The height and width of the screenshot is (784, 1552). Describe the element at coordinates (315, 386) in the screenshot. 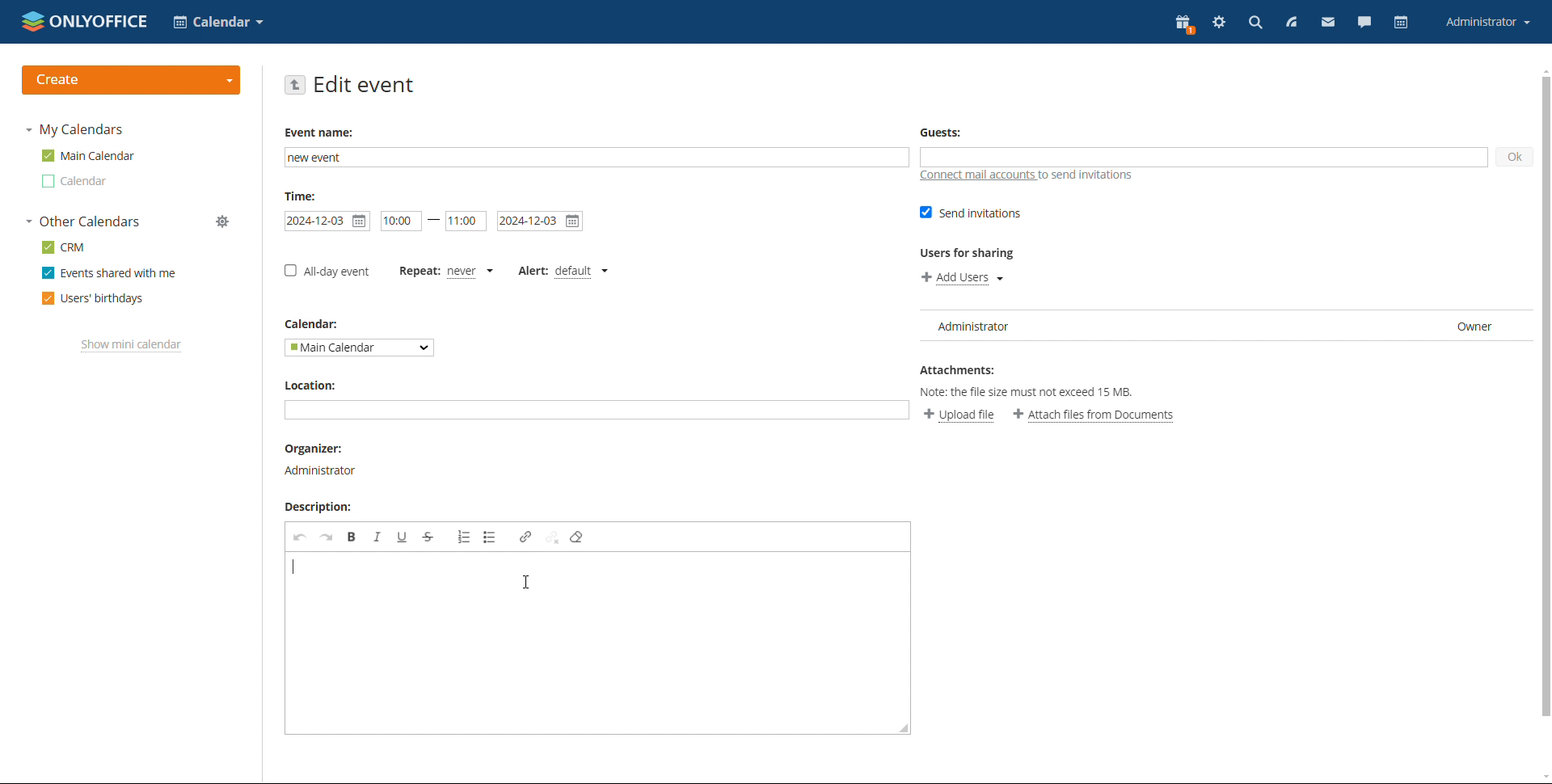

I see `Location:` at that location.